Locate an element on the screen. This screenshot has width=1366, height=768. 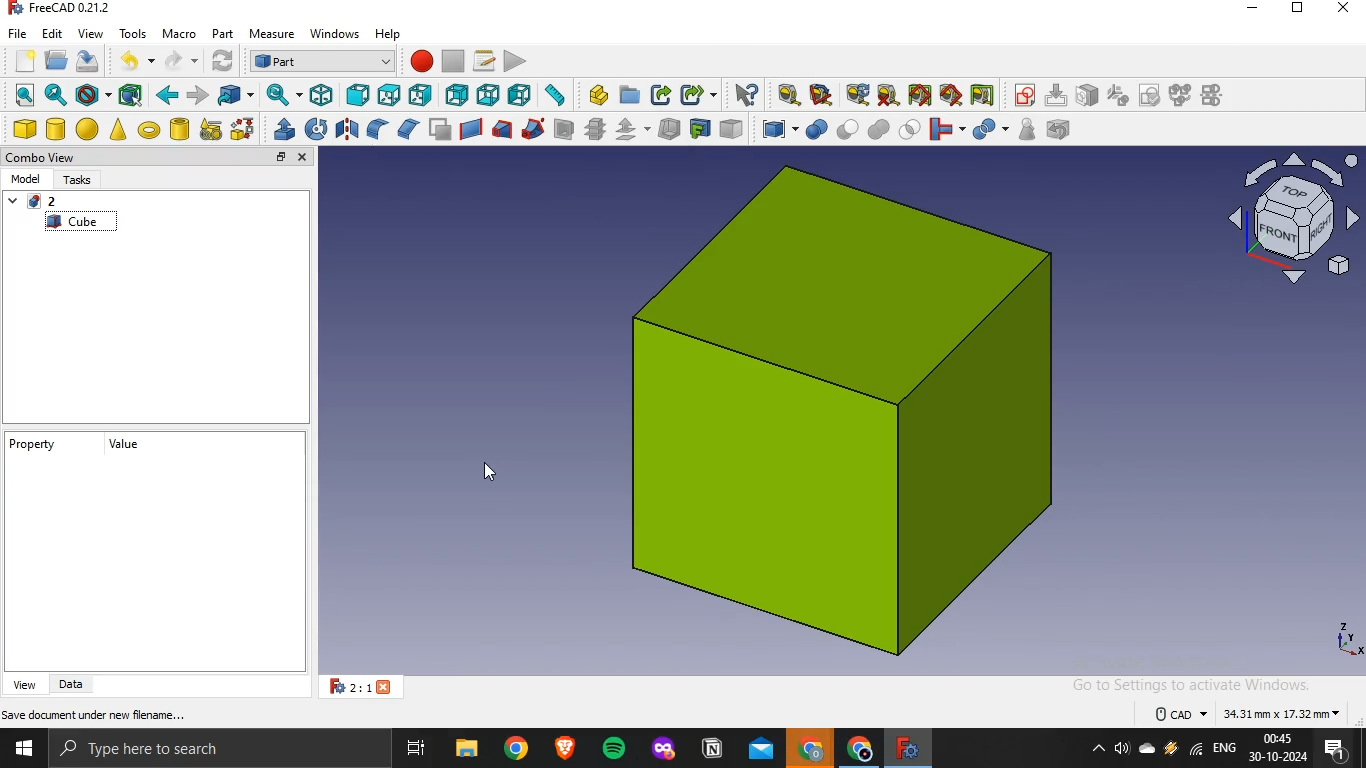
top is located at coordinates (388, 93).